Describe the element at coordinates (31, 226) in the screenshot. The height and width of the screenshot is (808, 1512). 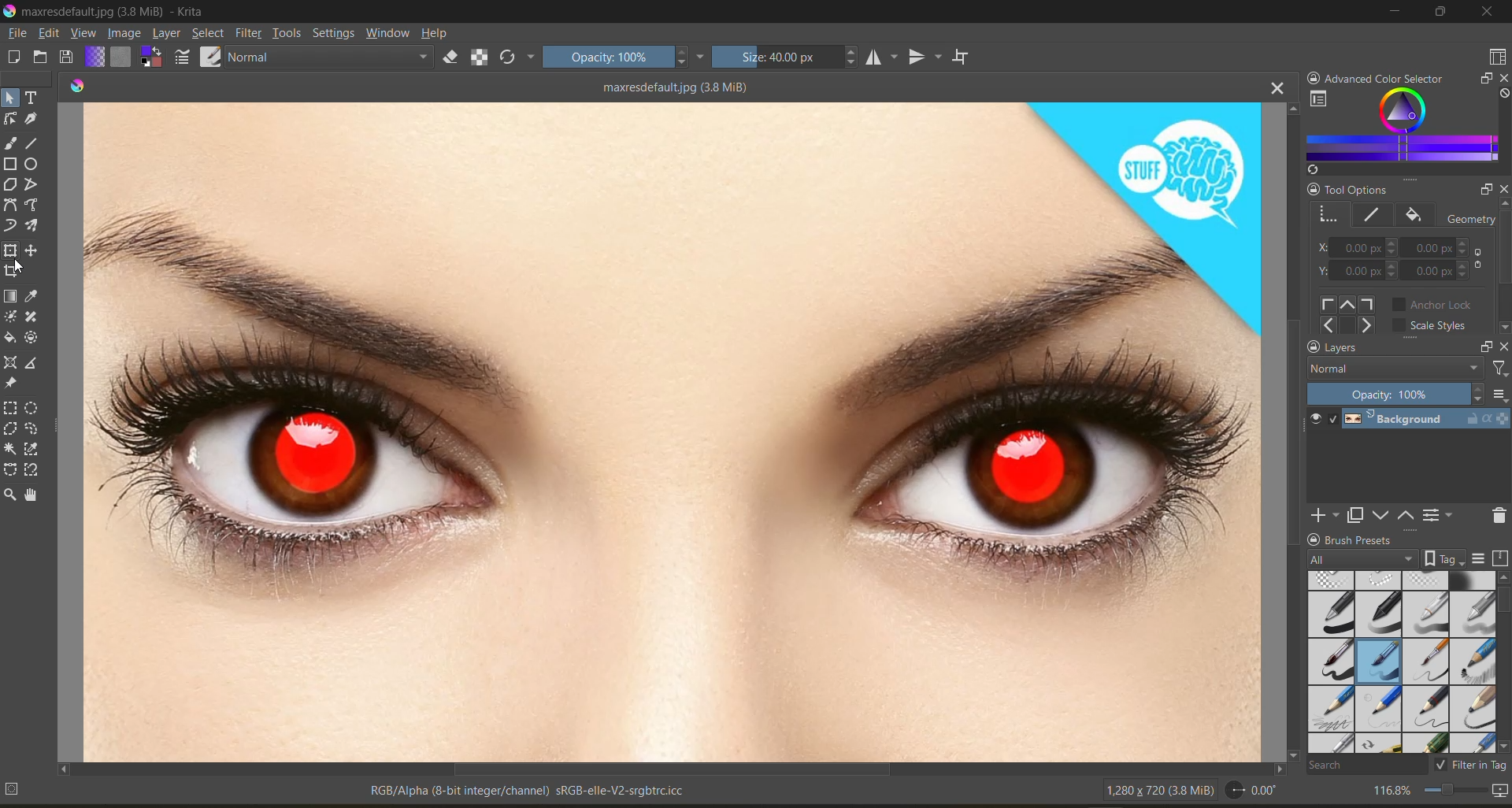
I see `tool` at that location.